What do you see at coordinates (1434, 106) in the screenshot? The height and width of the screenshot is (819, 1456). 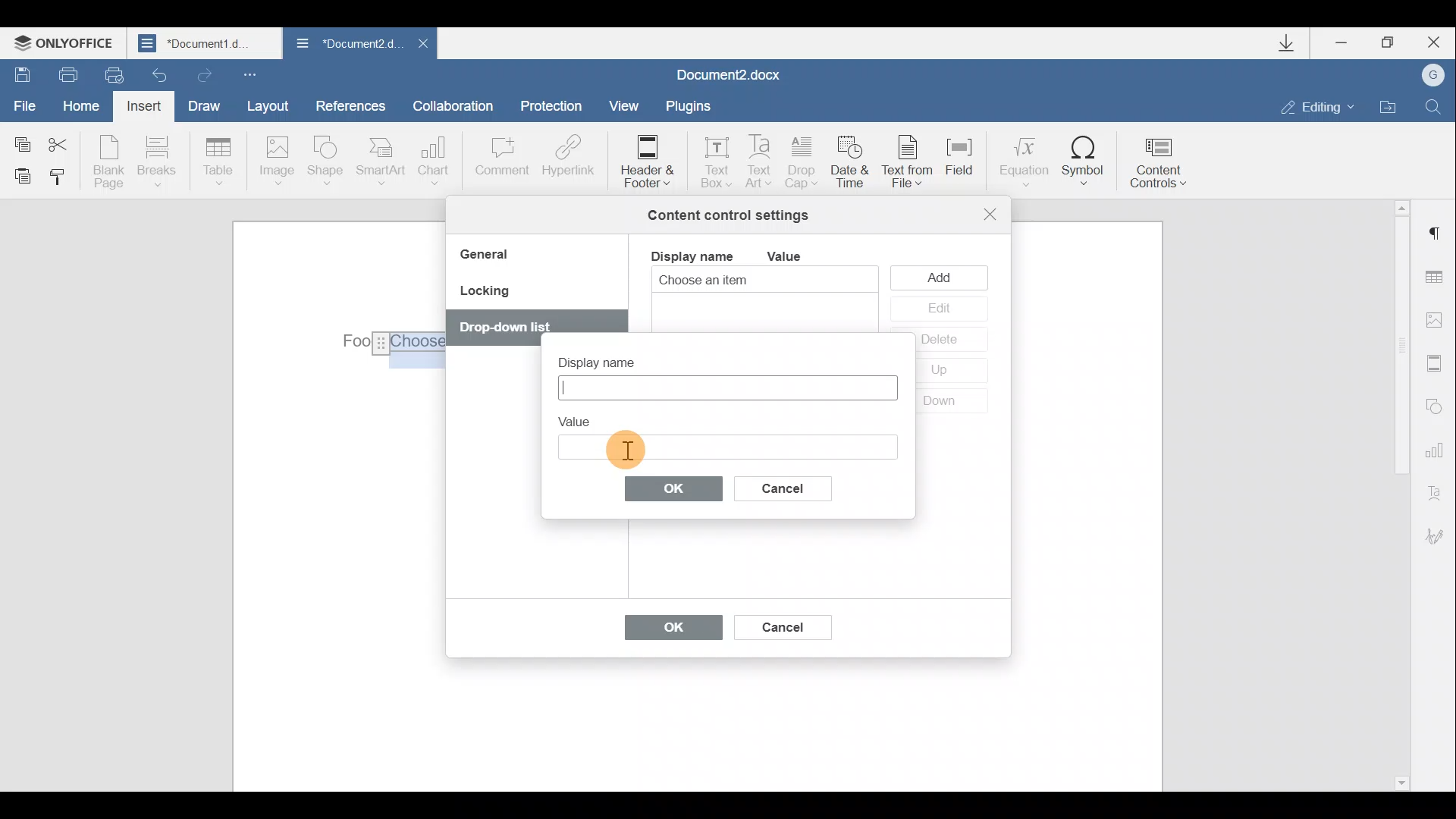 I see `Find` at bounding box center [1434, 106].